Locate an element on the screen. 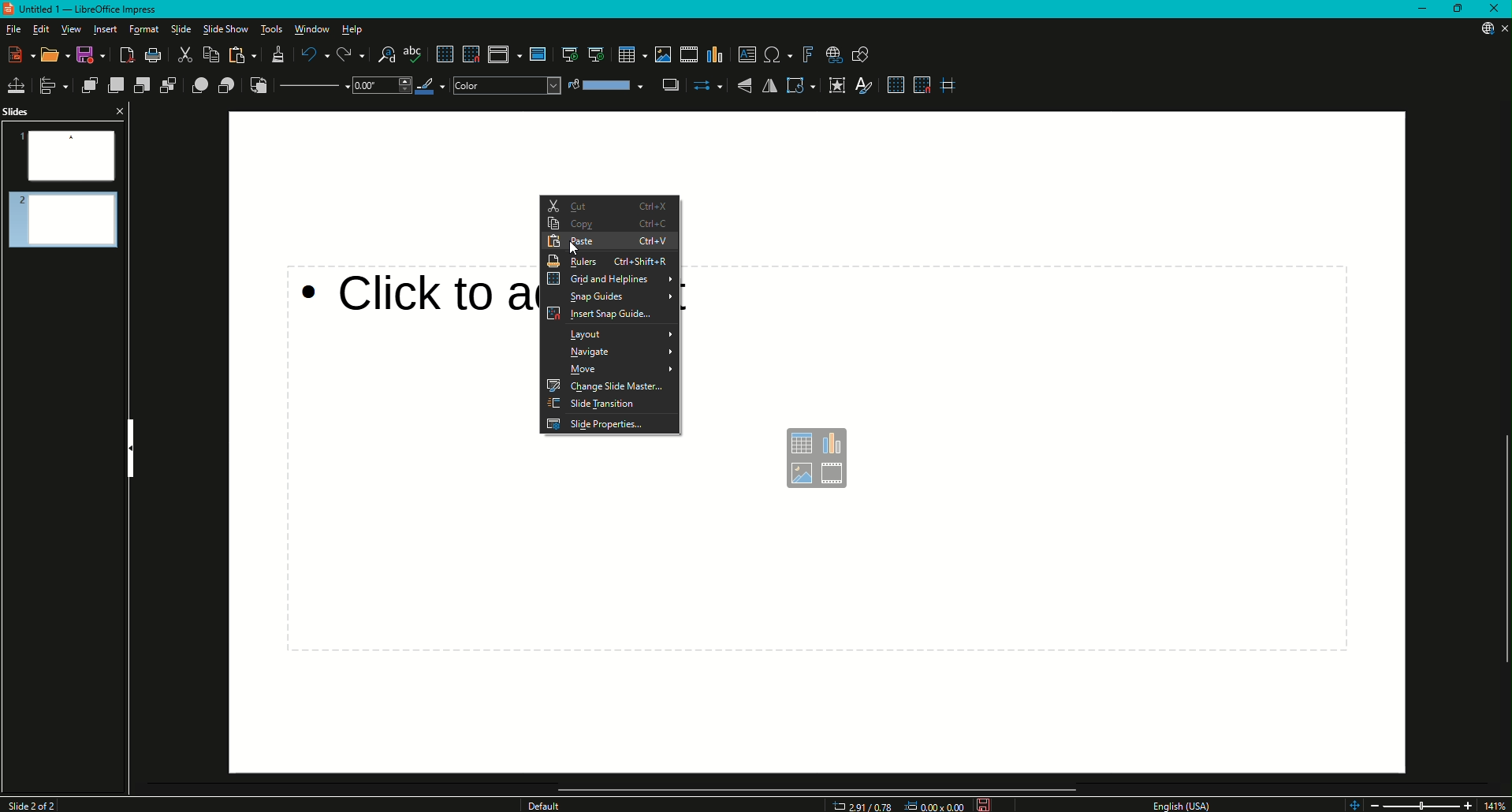 The image size is (1512, 812). Insert Snap Guides is located at coordinates (609, 313).